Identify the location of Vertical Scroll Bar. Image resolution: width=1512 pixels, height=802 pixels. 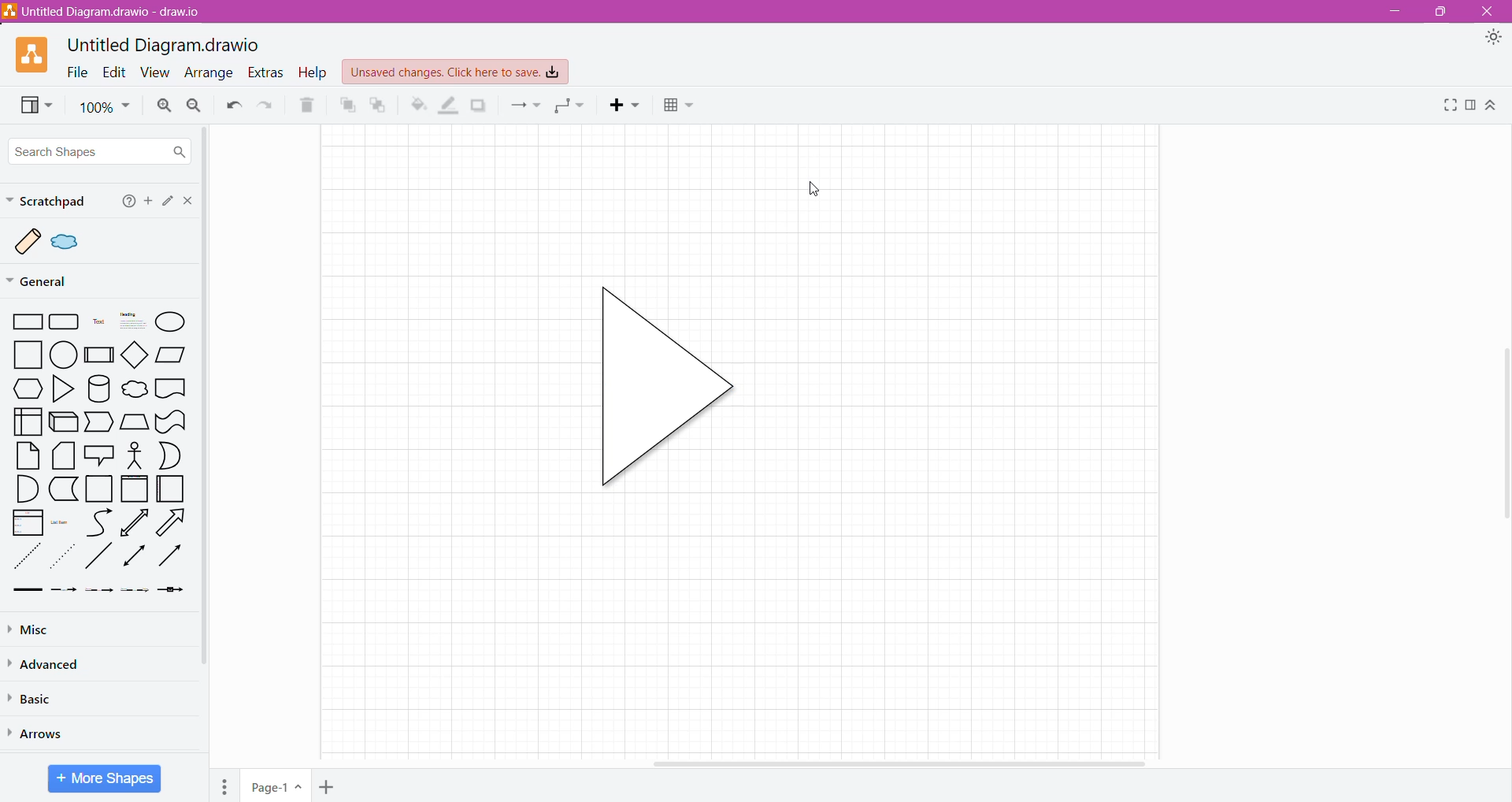
(1503, 436).